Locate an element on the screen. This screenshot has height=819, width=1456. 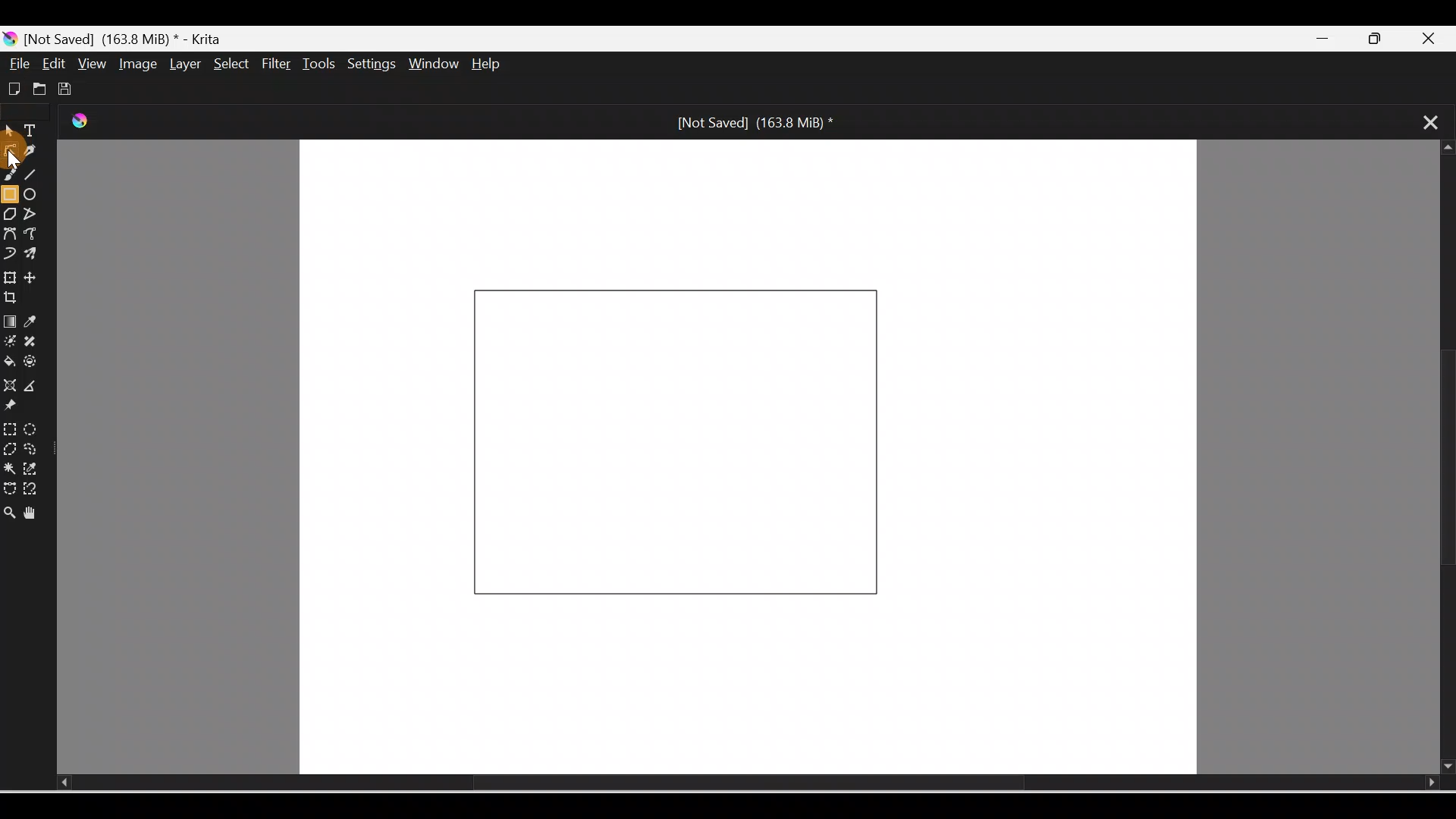
Rectangular selection tool is located at coordinates (9, 426).